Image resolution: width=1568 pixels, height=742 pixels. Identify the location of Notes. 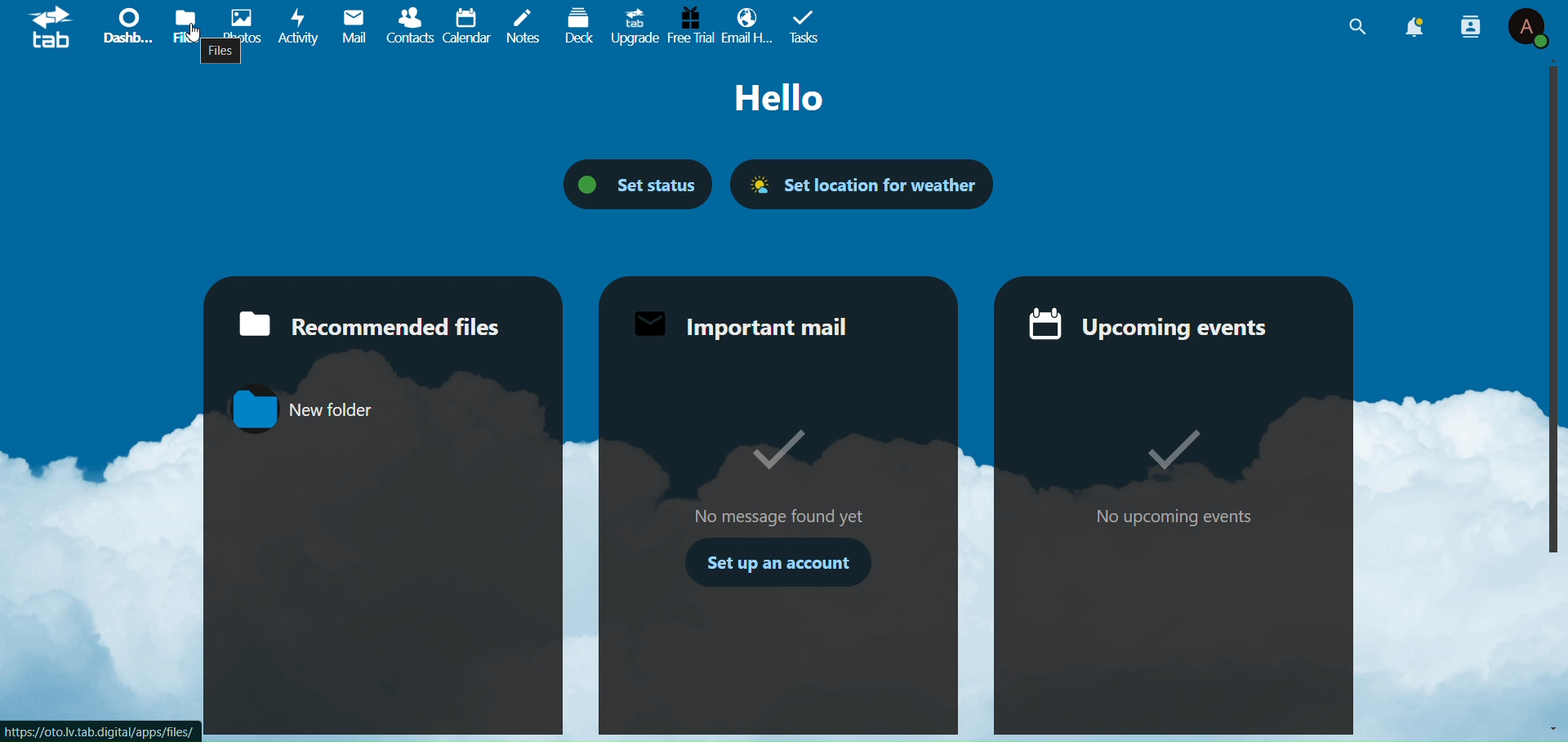
(520, 23).